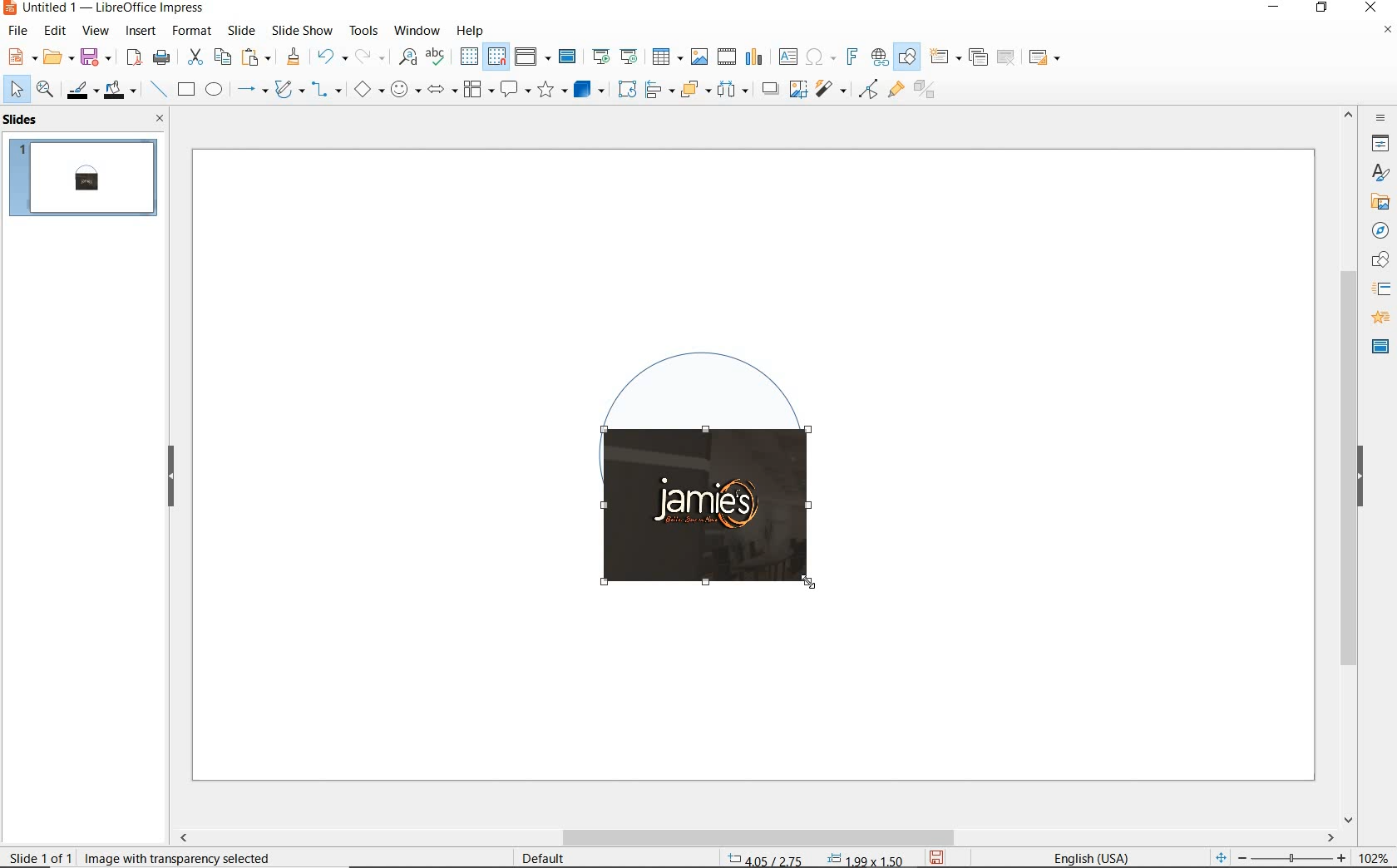  Describe the element at coordinates (754, 57) in the screenshot. I see `insert chart` at that location.